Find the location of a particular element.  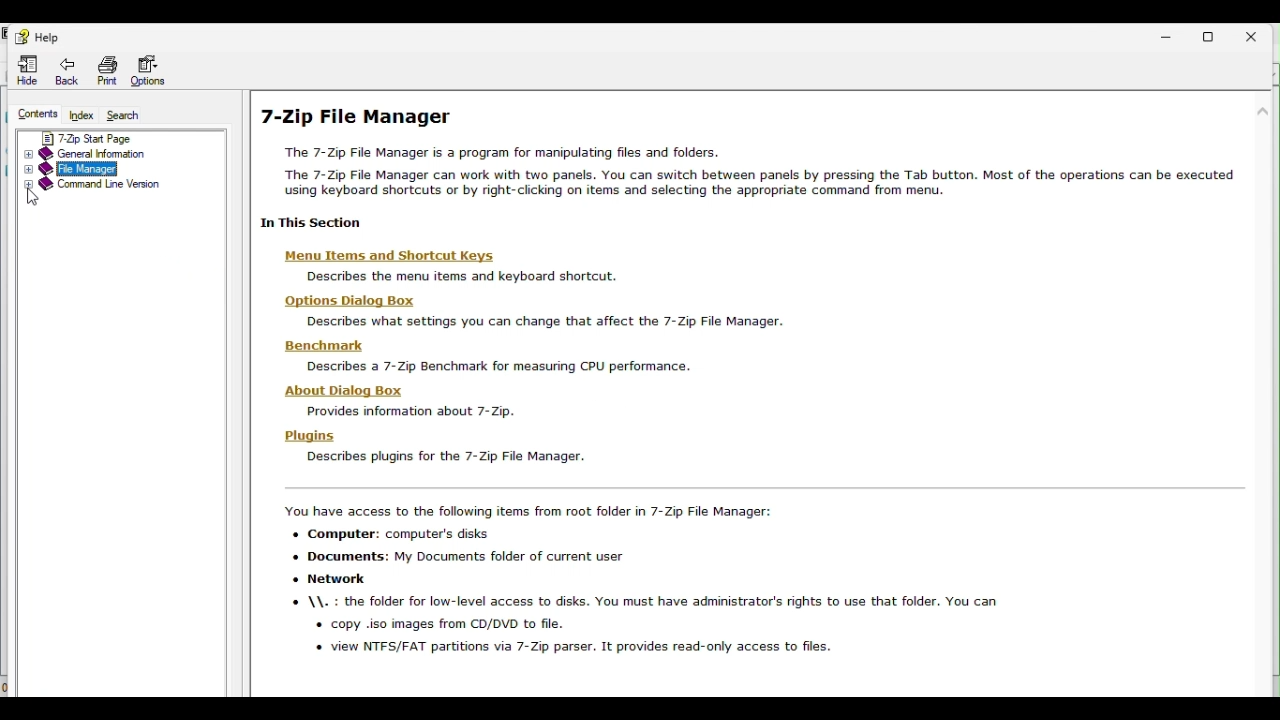

File manager is located at coordinates (116, 167).